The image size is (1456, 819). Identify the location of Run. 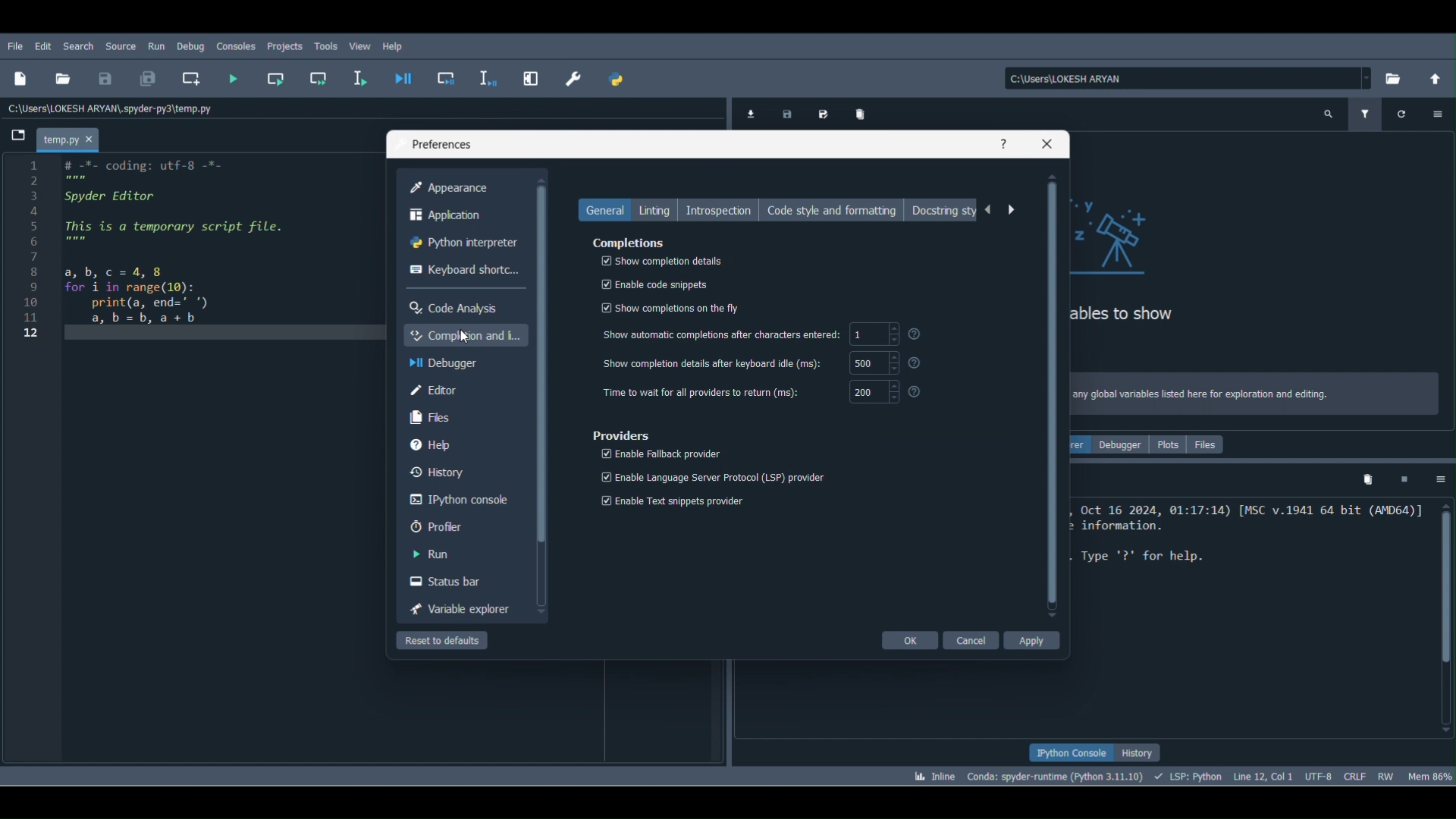
(429, 557).